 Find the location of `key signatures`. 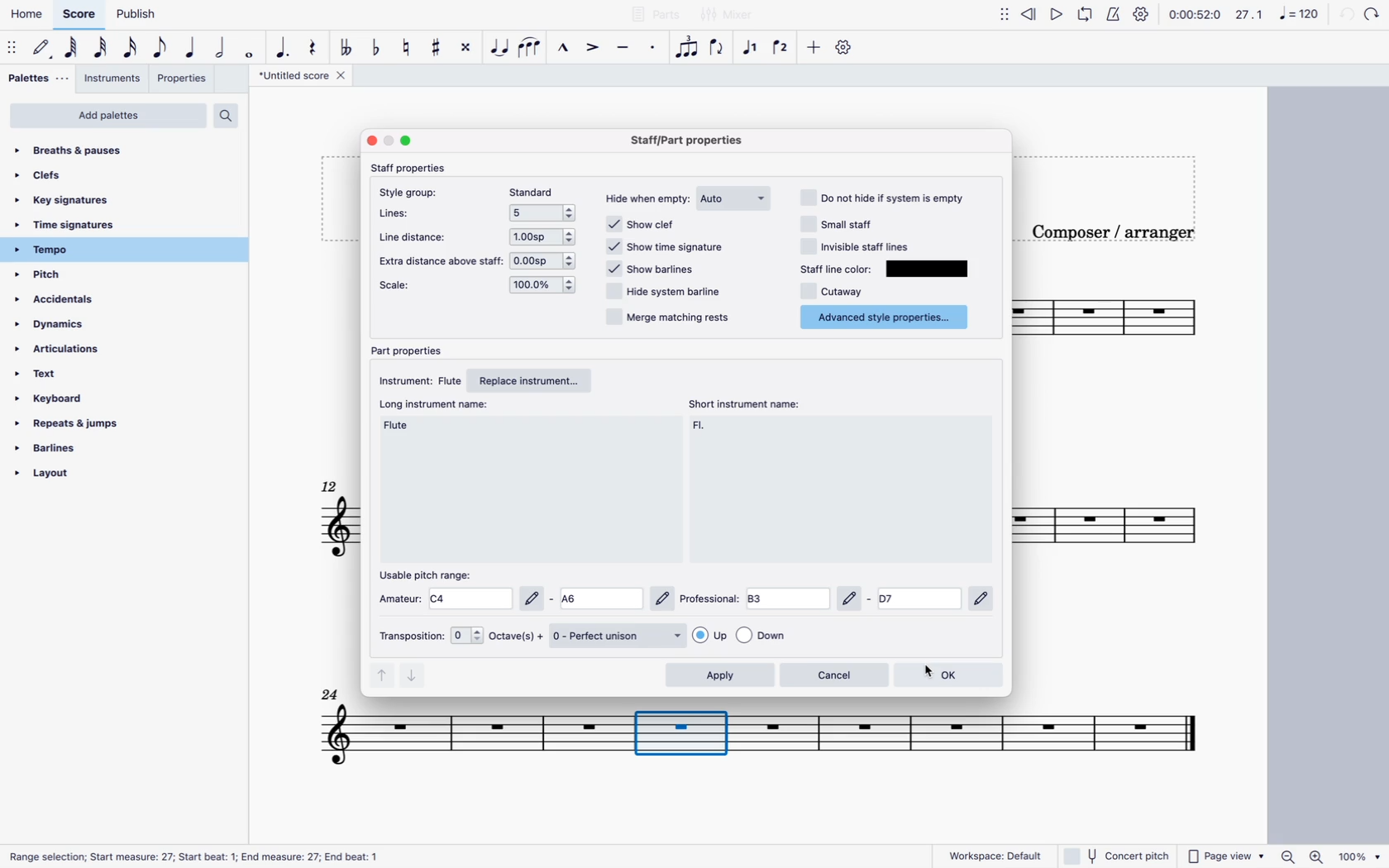

key signatures is located at coordinates (65, 202).